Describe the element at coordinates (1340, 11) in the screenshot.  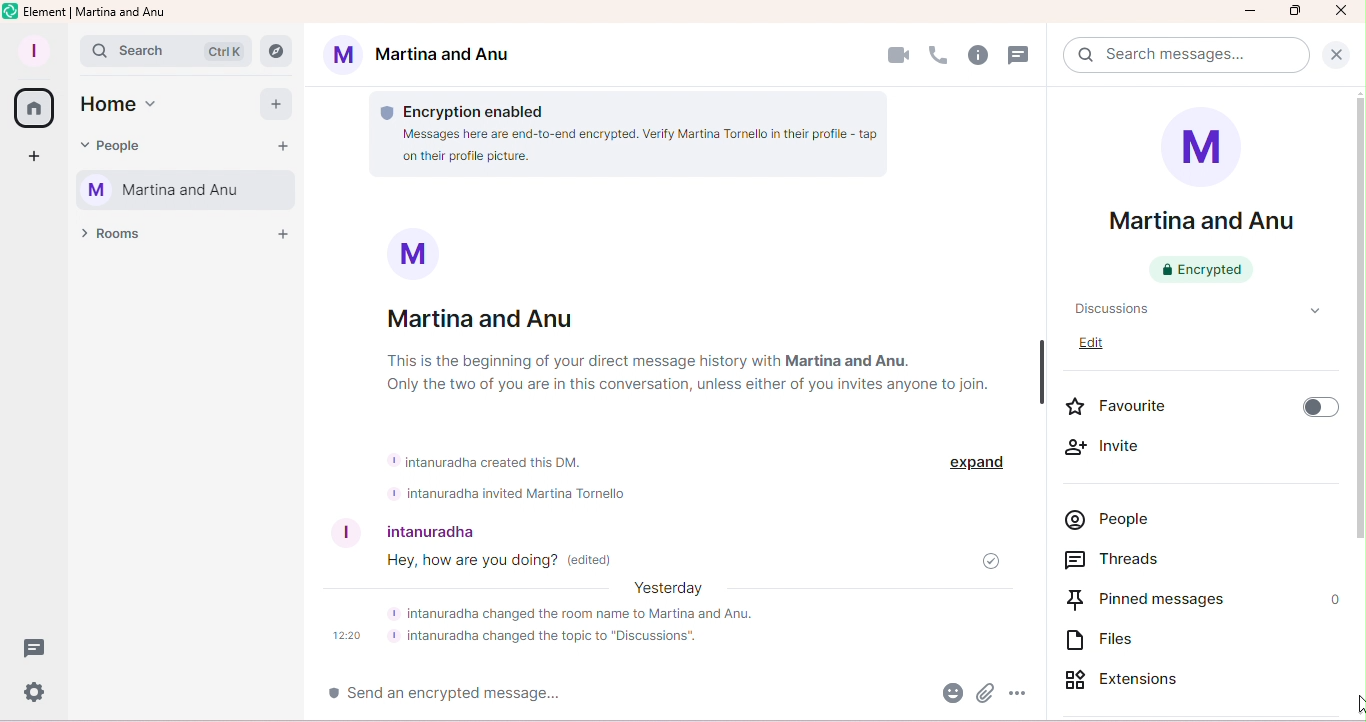
I see `Close Icon` at that location.